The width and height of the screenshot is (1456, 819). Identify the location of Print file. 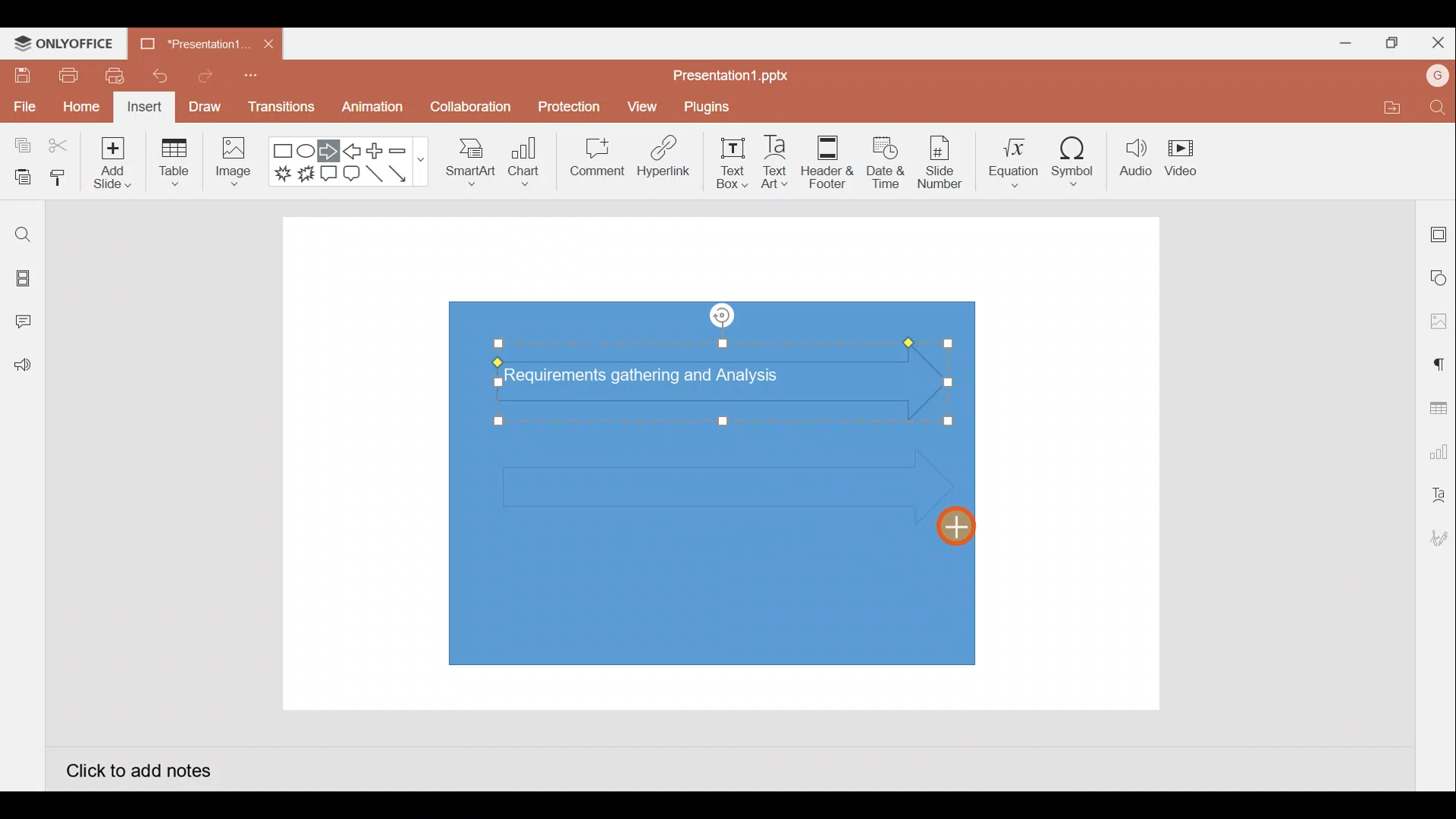
(67, 74).